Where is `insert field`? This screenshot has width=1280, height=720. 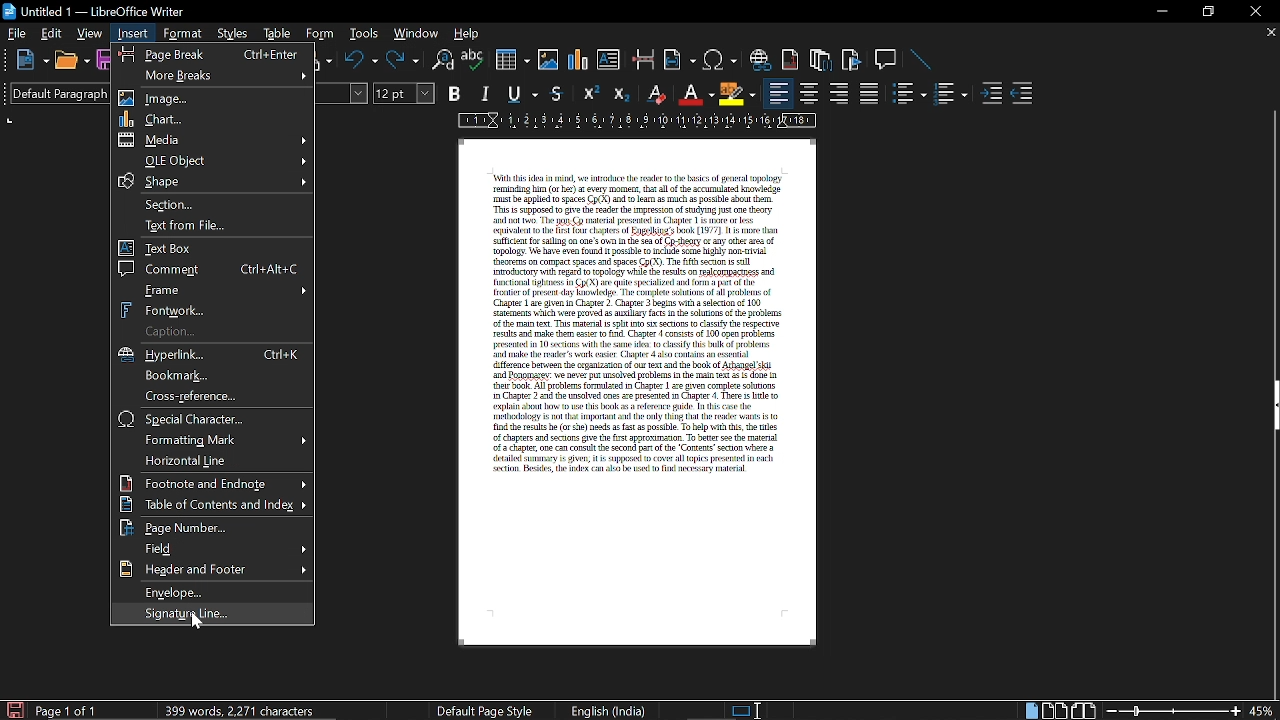 insert field is located at coordinates (680, 59).